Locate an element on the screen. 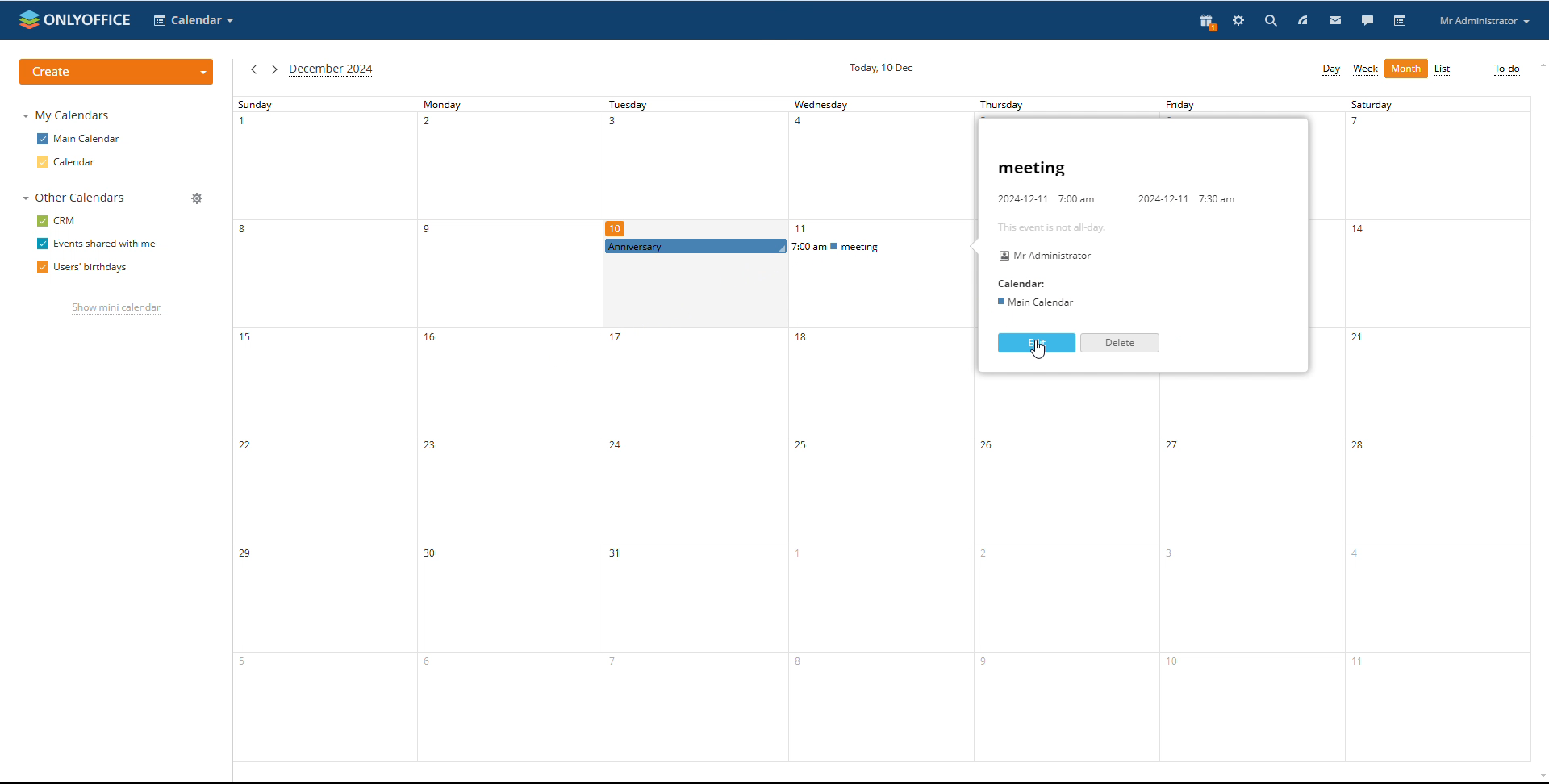 The image size is (1549, 784). next month is located at coordinates (273, 69).